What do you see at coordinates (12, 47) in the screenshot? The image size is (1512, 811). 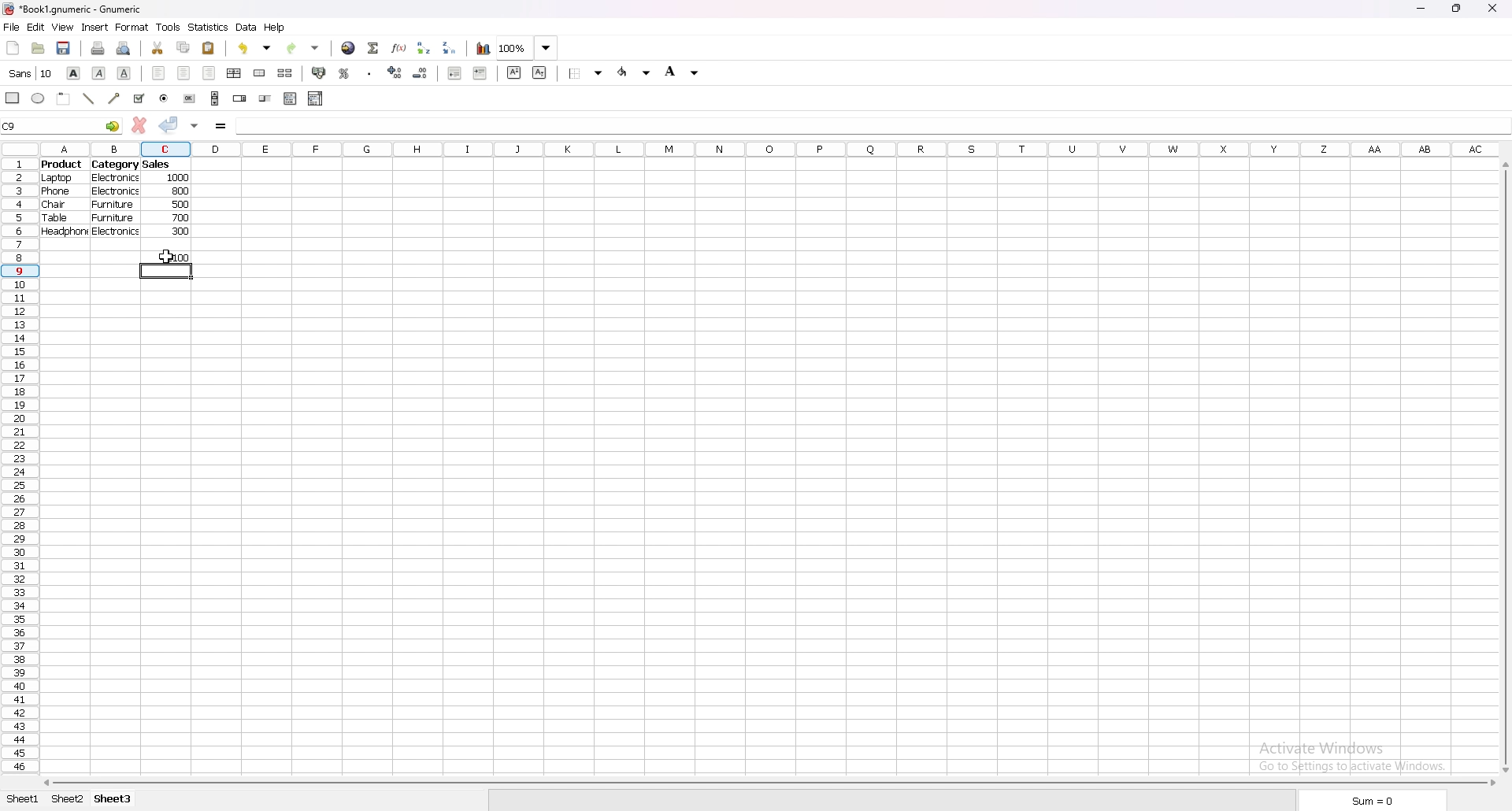 I see `new` at bounding box center [12, 47].